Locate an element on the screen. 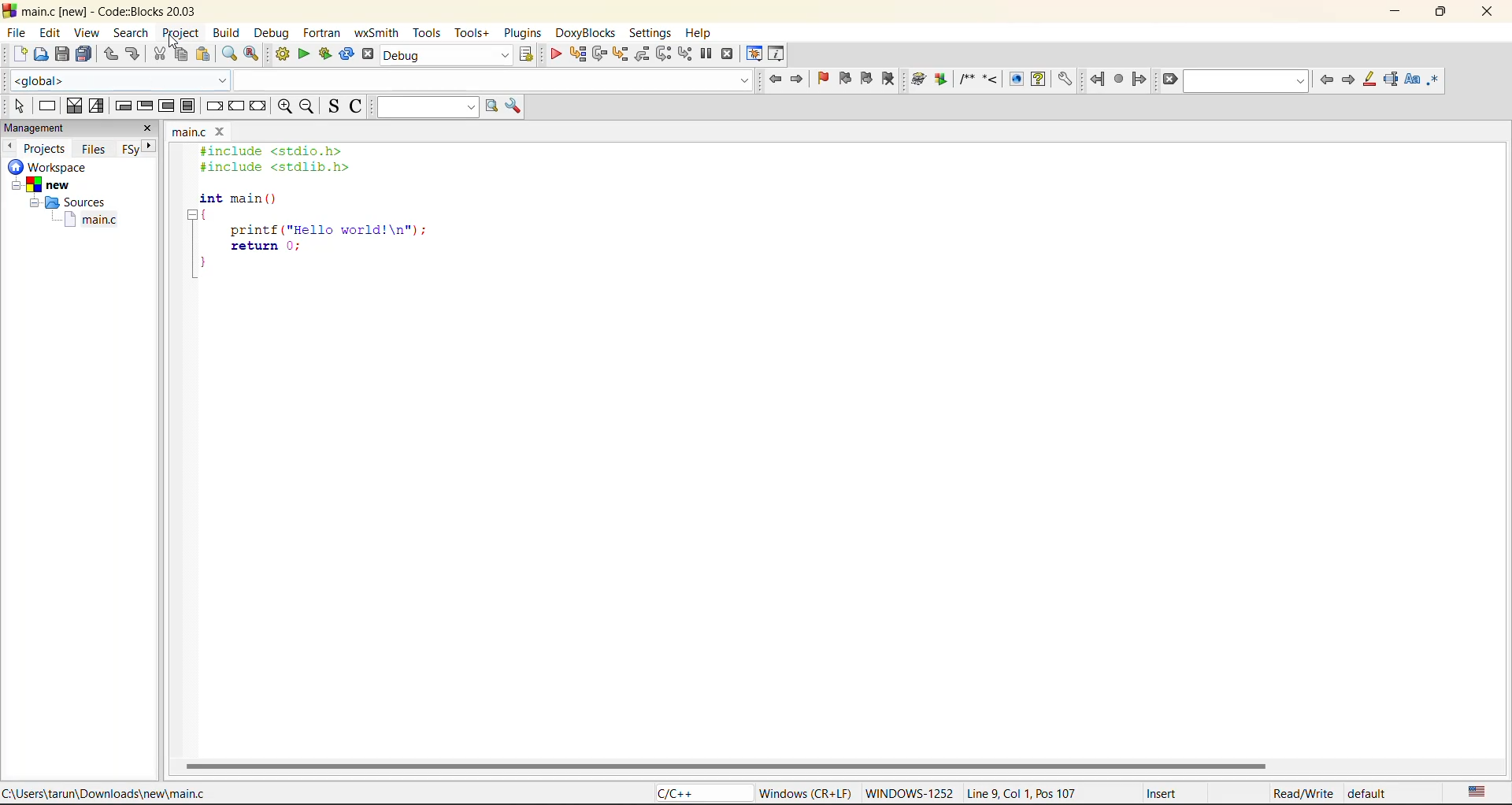  debug is located at coordinates (554, 54).